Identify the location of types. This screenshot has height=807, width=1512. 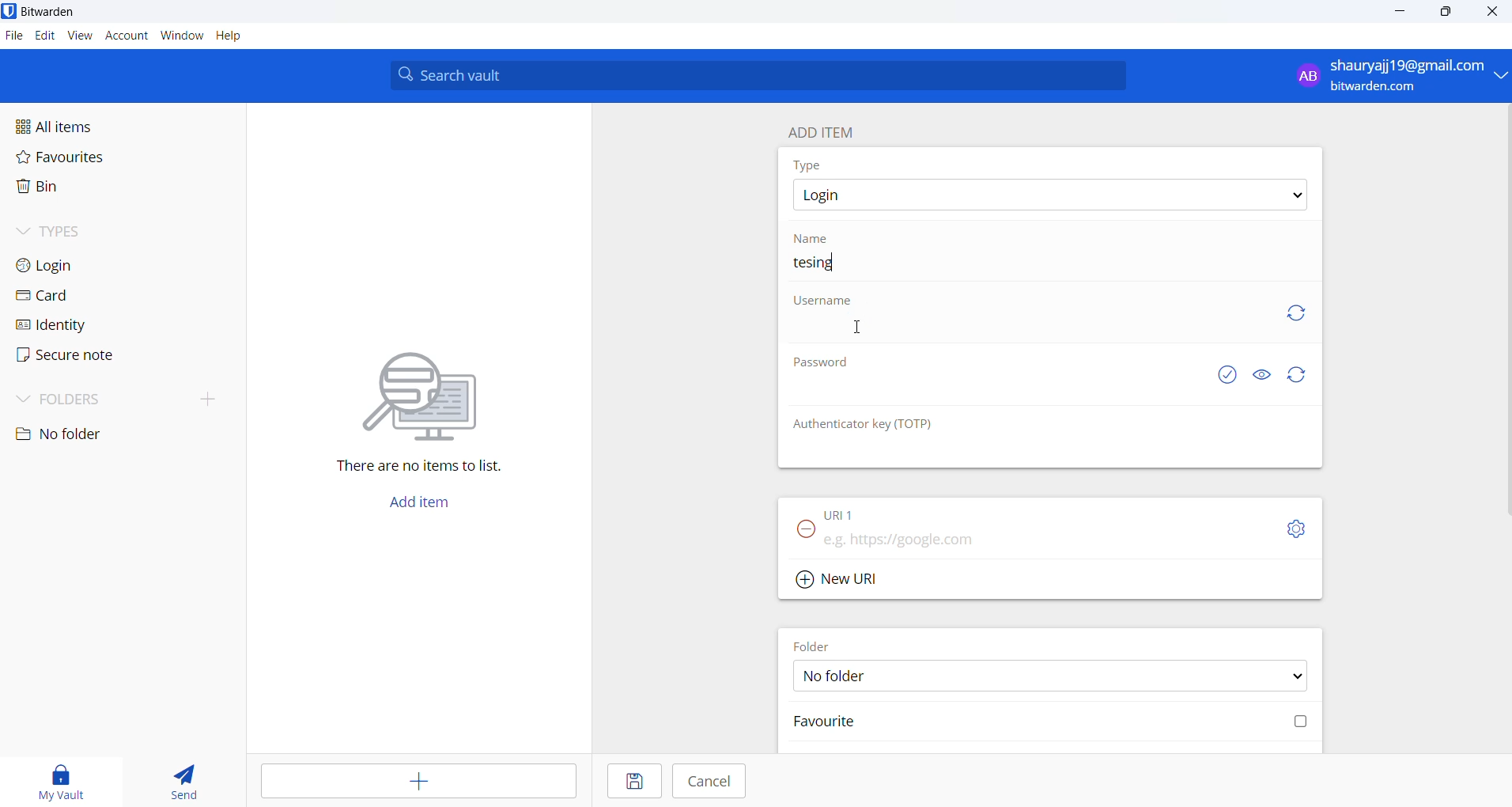
(98, 237).